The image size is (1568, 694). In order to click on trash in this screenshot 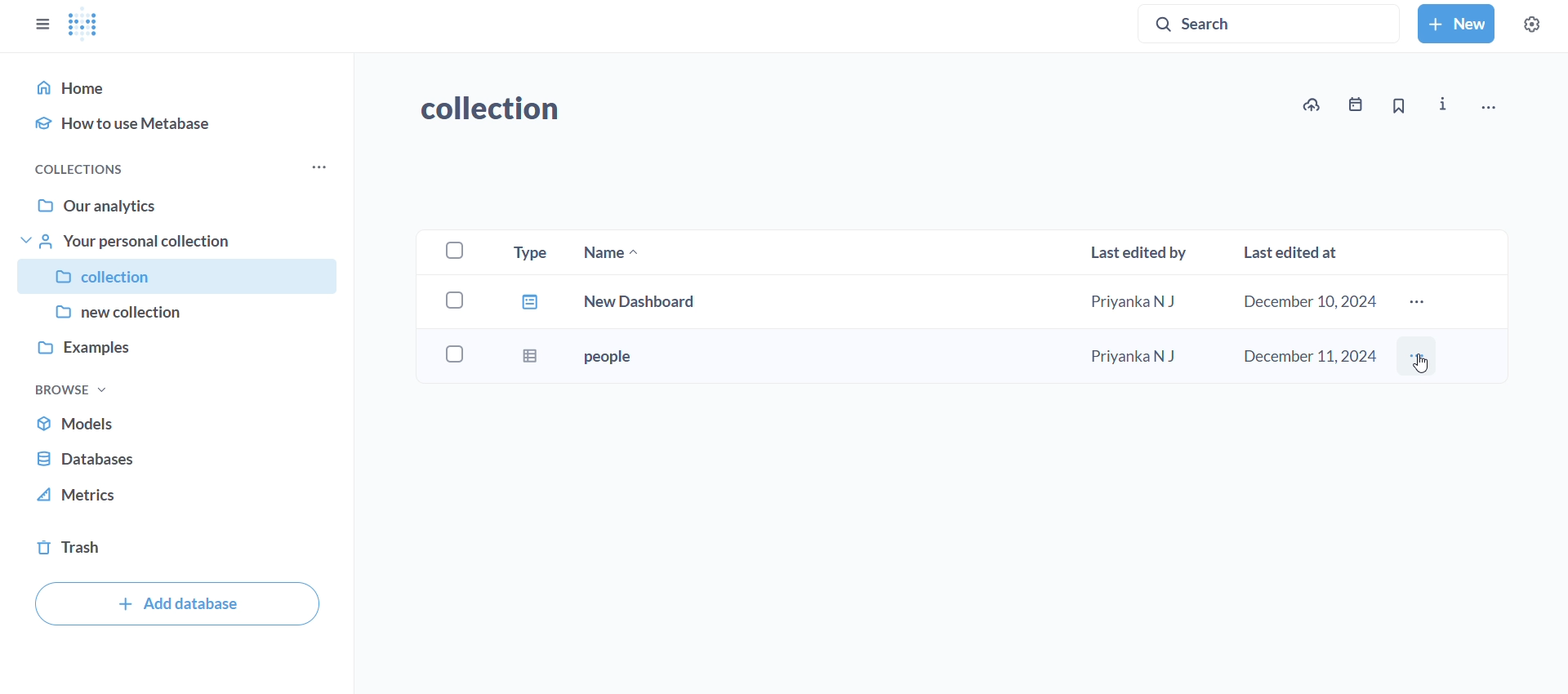, I will do `click(182, 547)`.